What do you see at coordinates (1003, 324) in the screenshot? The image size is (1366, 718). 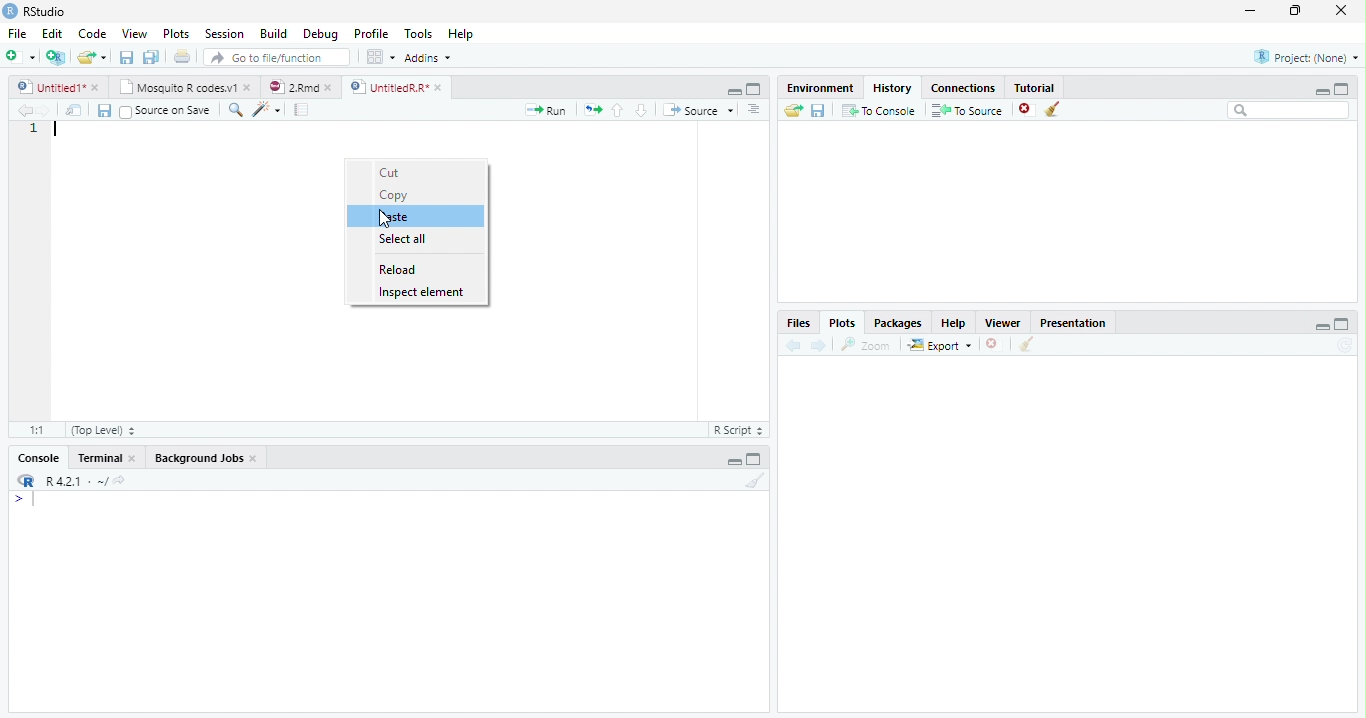 I see `viewer` at bounding box center [1003, 324].